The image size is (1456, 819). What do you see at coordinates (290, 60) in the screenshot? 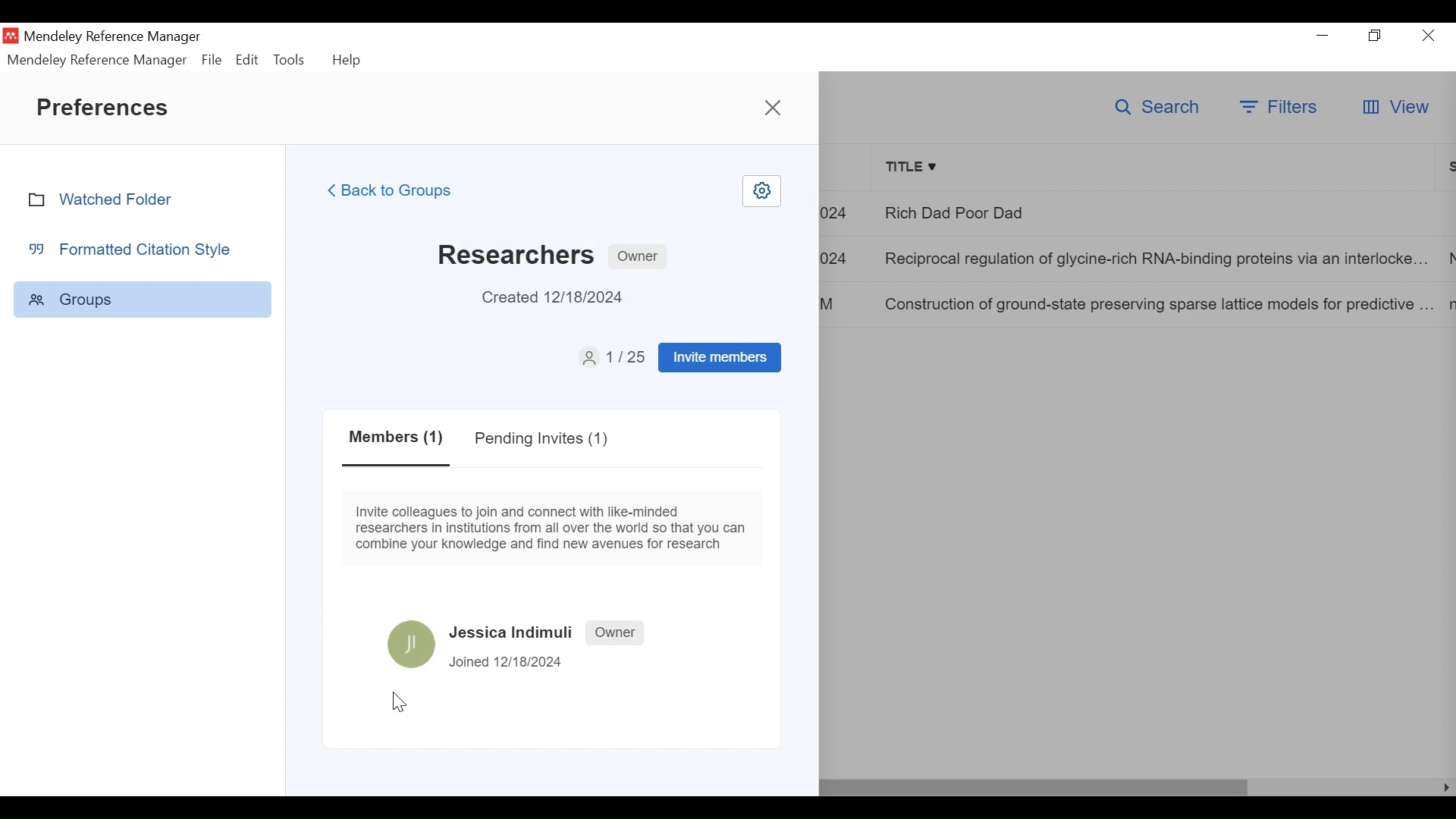
I see `Tools` at bounding box center [290, 60].